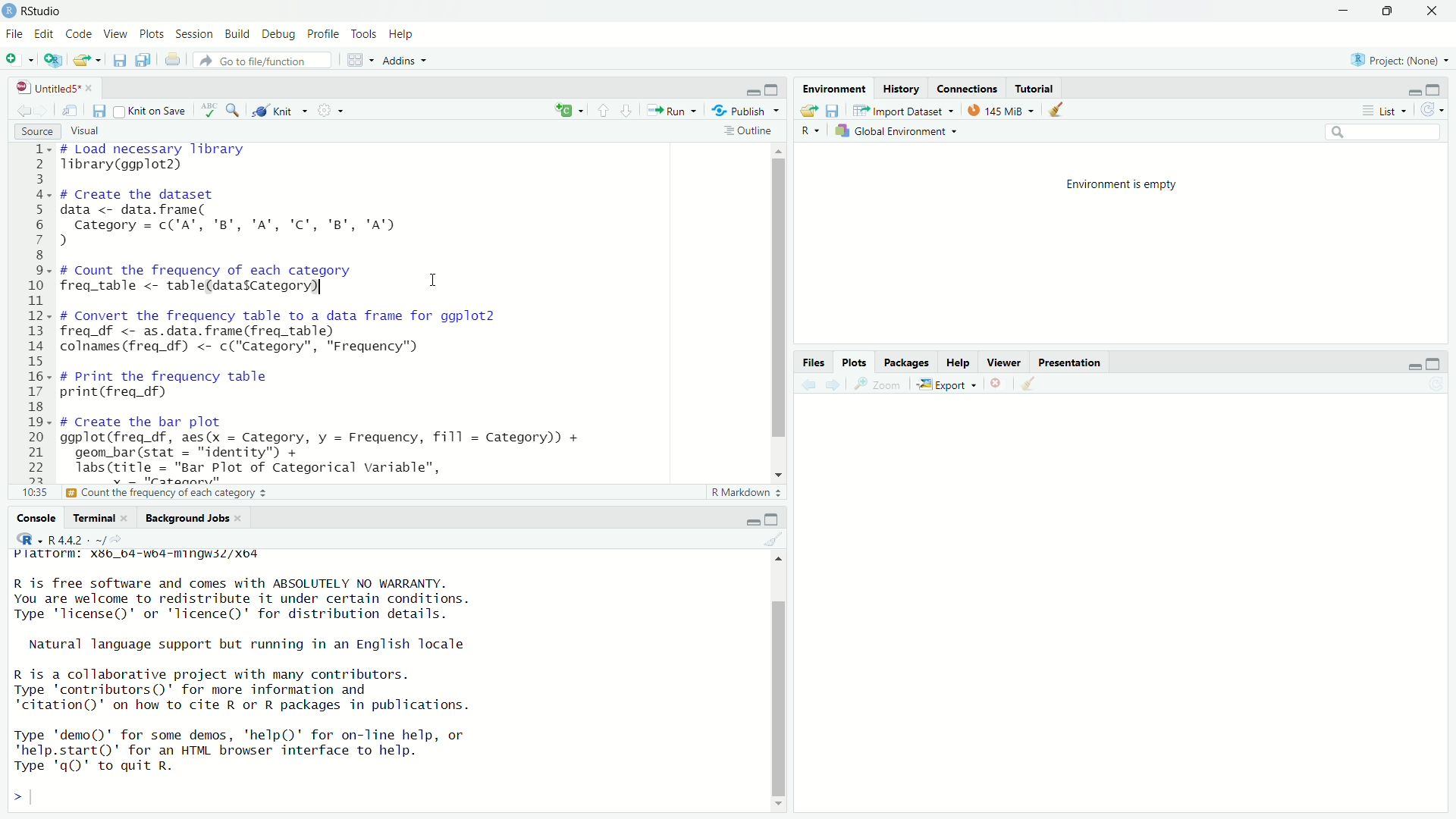  What do you see at coordinates (772, 519) in the screenshot?
I see `maximize` at bounding box center [772, 519].